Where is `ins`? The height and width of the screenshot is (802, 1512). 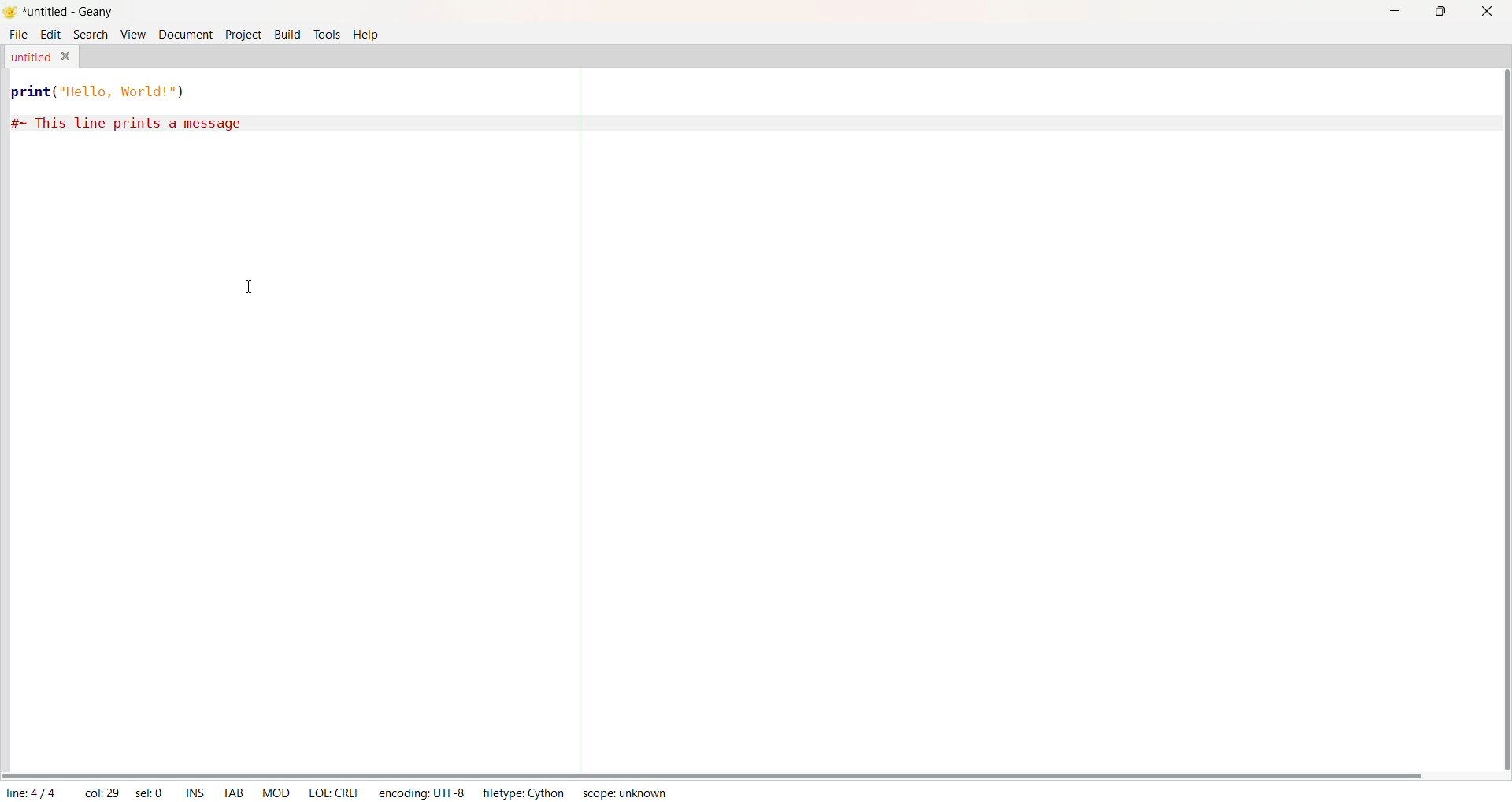
ins is located at coordinates (193, 791).